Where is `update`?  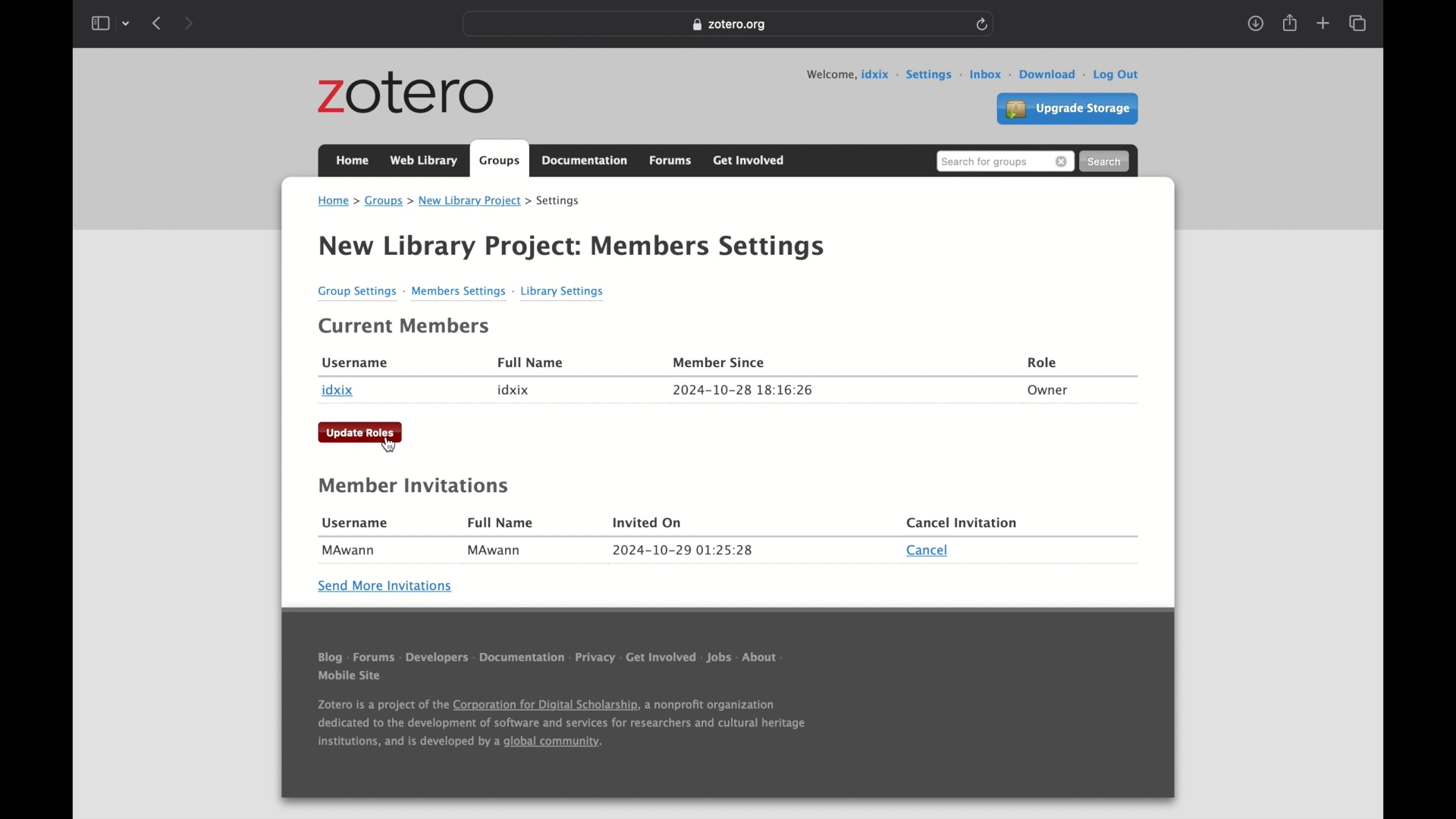 update is located at coordinates (361, 432).